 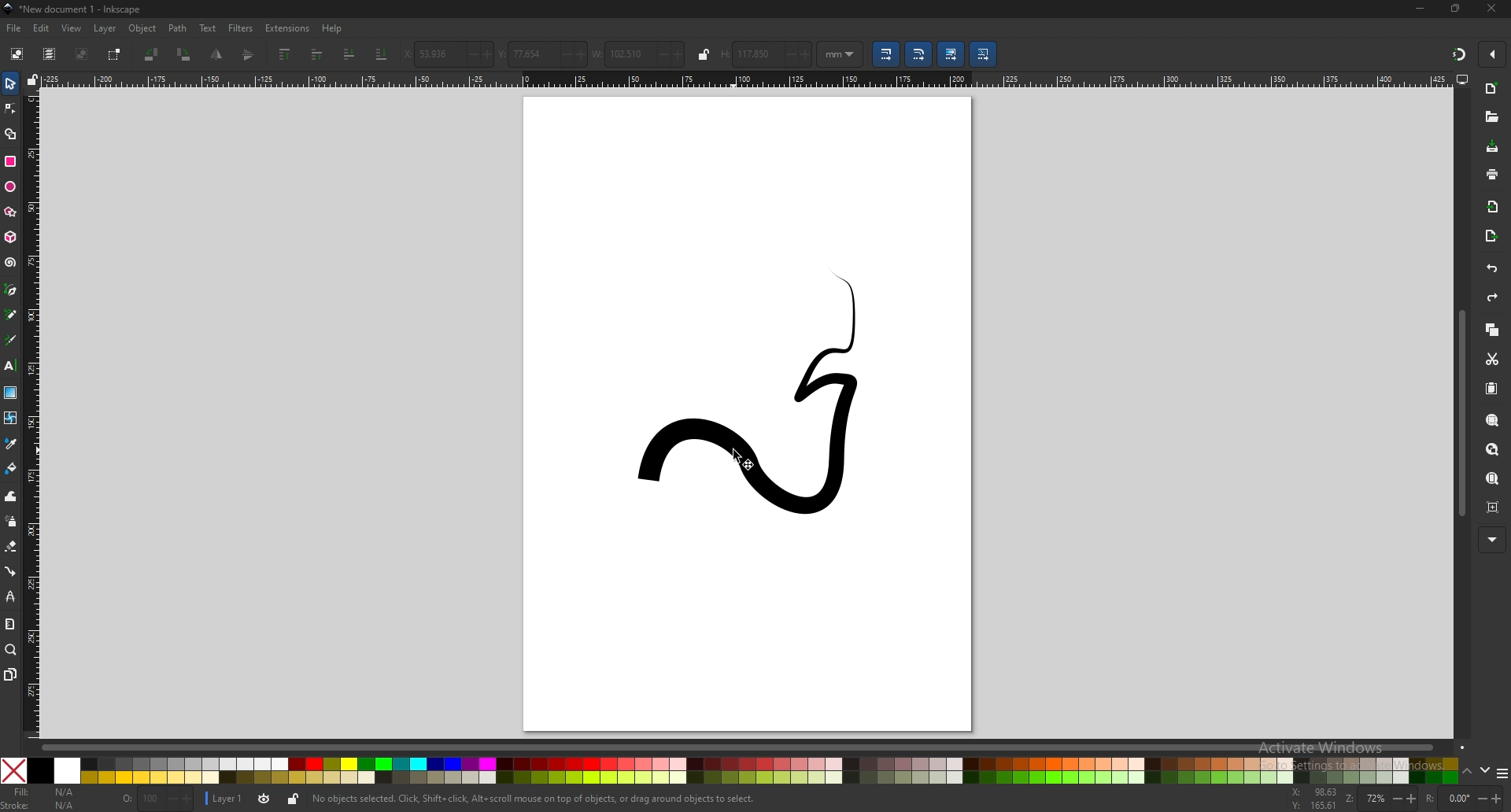 What do you see at coordinates (11, 392) in the screenshot?
I see `gradient` at bounding box center [11, 392].